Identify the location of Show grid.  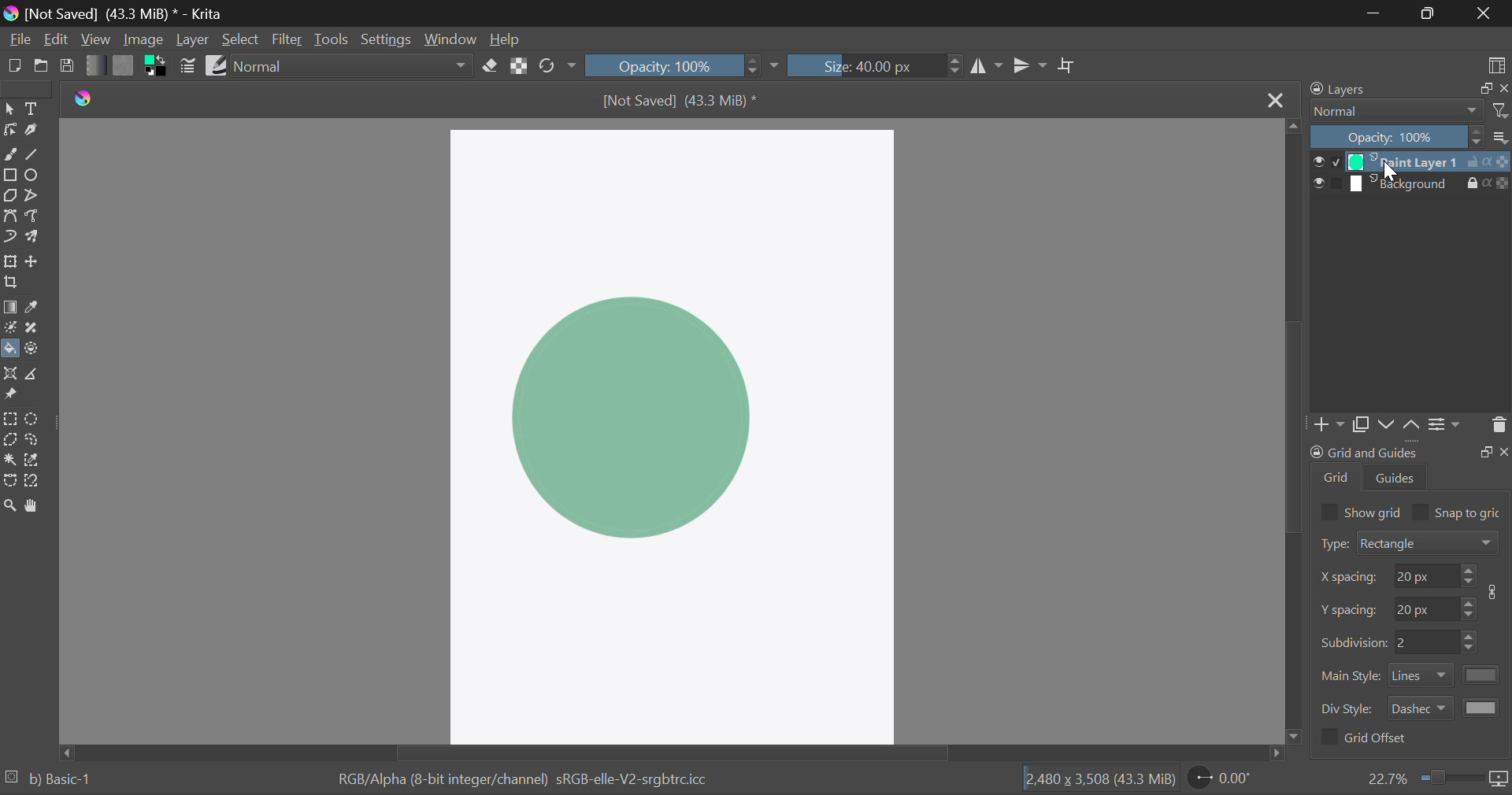
(1360, 511).